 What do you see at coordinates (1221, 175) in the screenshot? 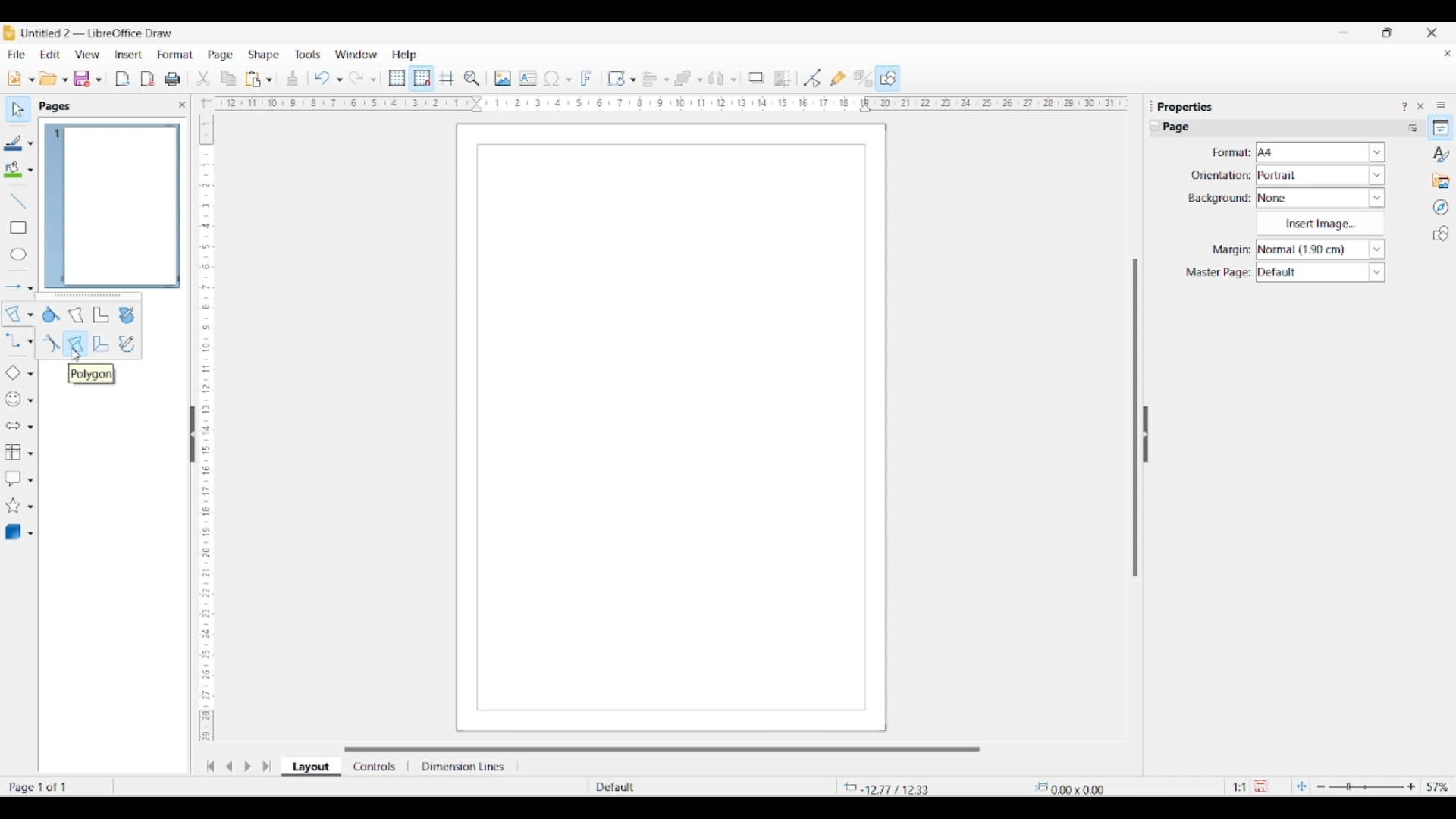
I see `Indicates orientation settings` at bounding box center [1221, 175].